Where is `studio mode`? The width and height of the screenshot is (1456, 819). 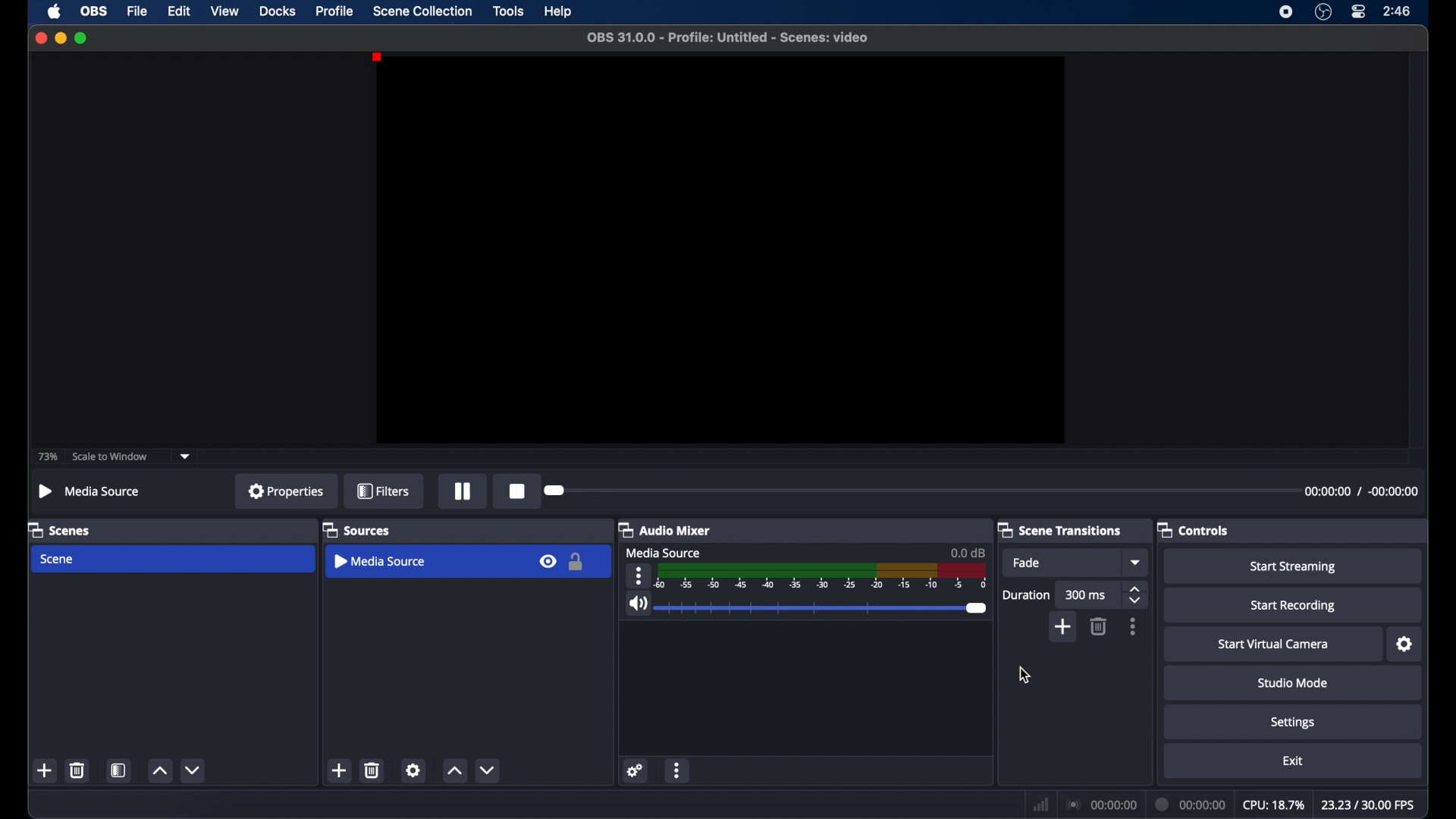 studio mode is located at coordinates (1293, 682).